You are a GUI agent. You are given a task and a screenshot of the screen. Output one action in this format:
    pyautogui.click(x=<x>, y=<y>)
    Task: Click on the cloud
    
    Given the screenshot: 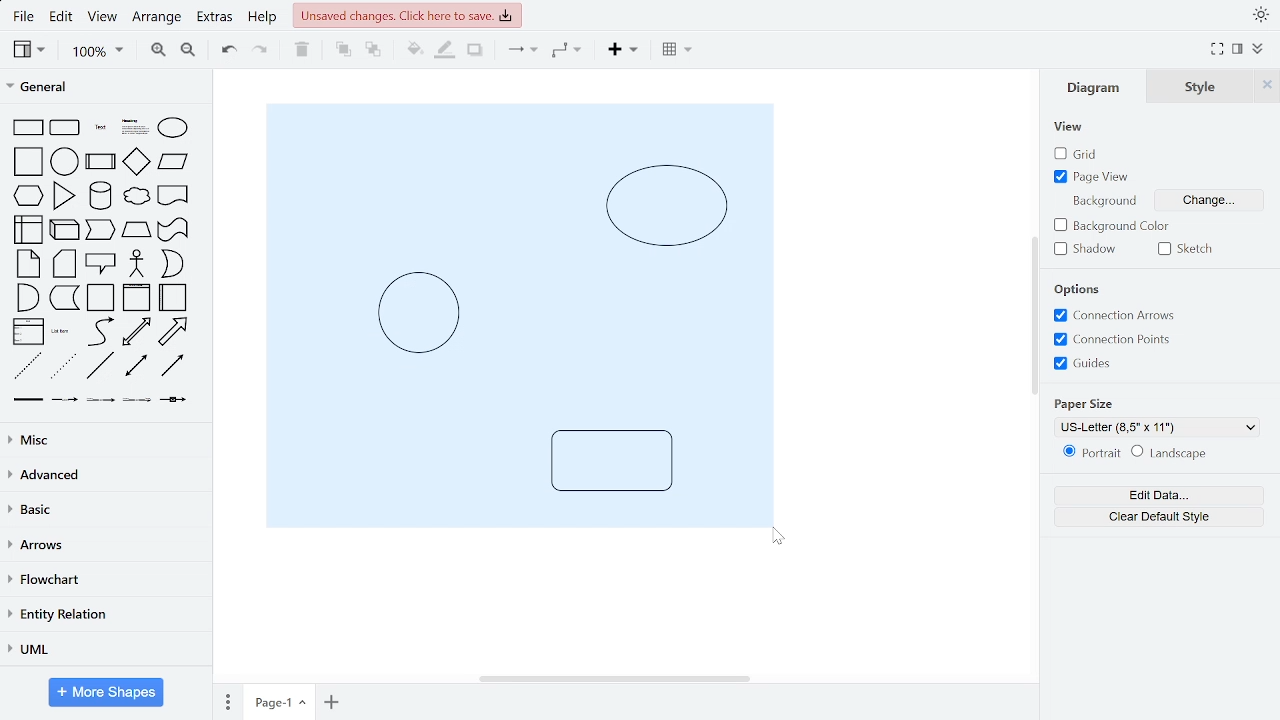 What is the action you would take?
    pyautogui.click(x=135, y=196)
    